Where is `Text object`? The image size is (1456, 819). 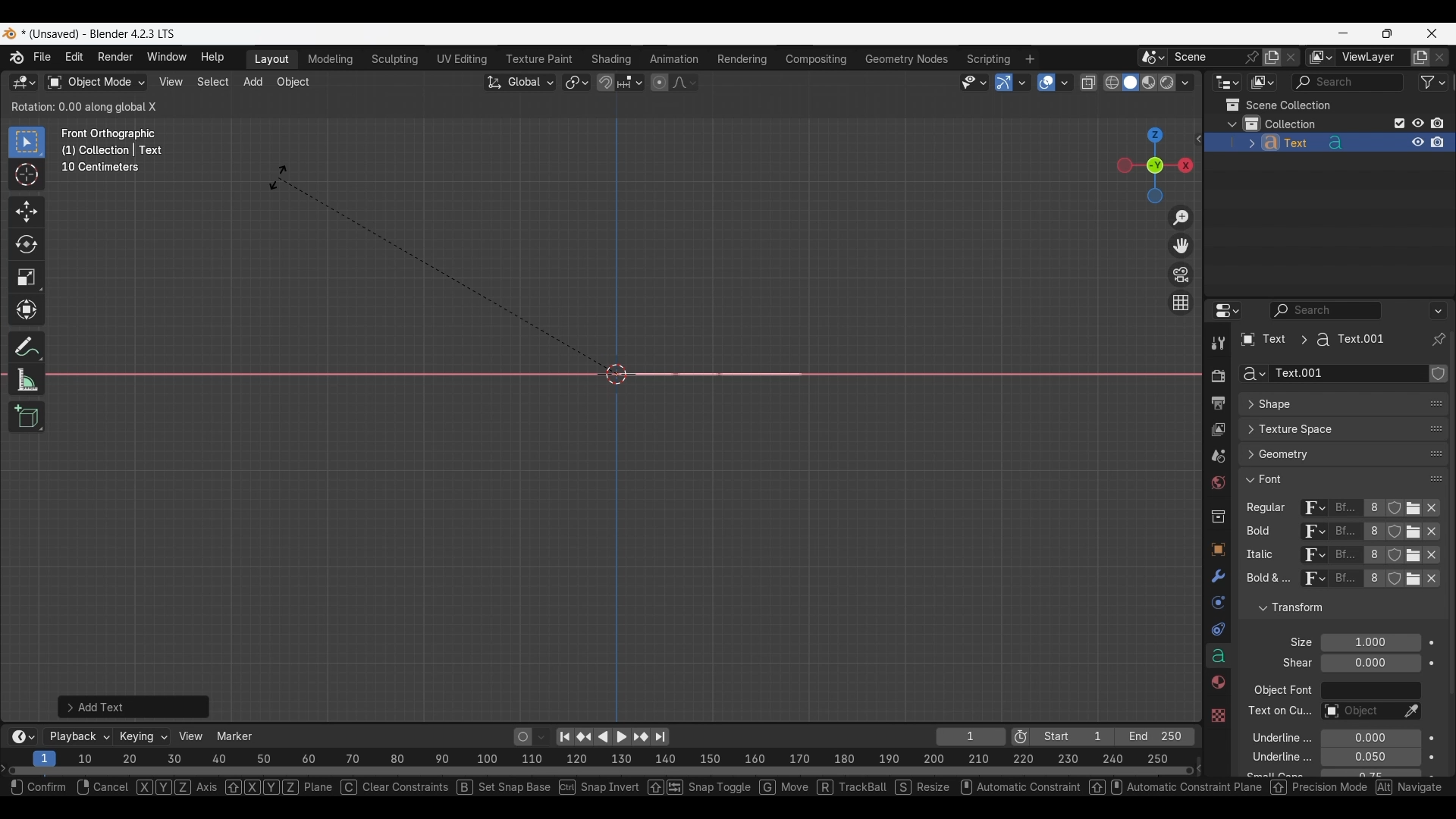 Text object is located at coordinates (720, 373).